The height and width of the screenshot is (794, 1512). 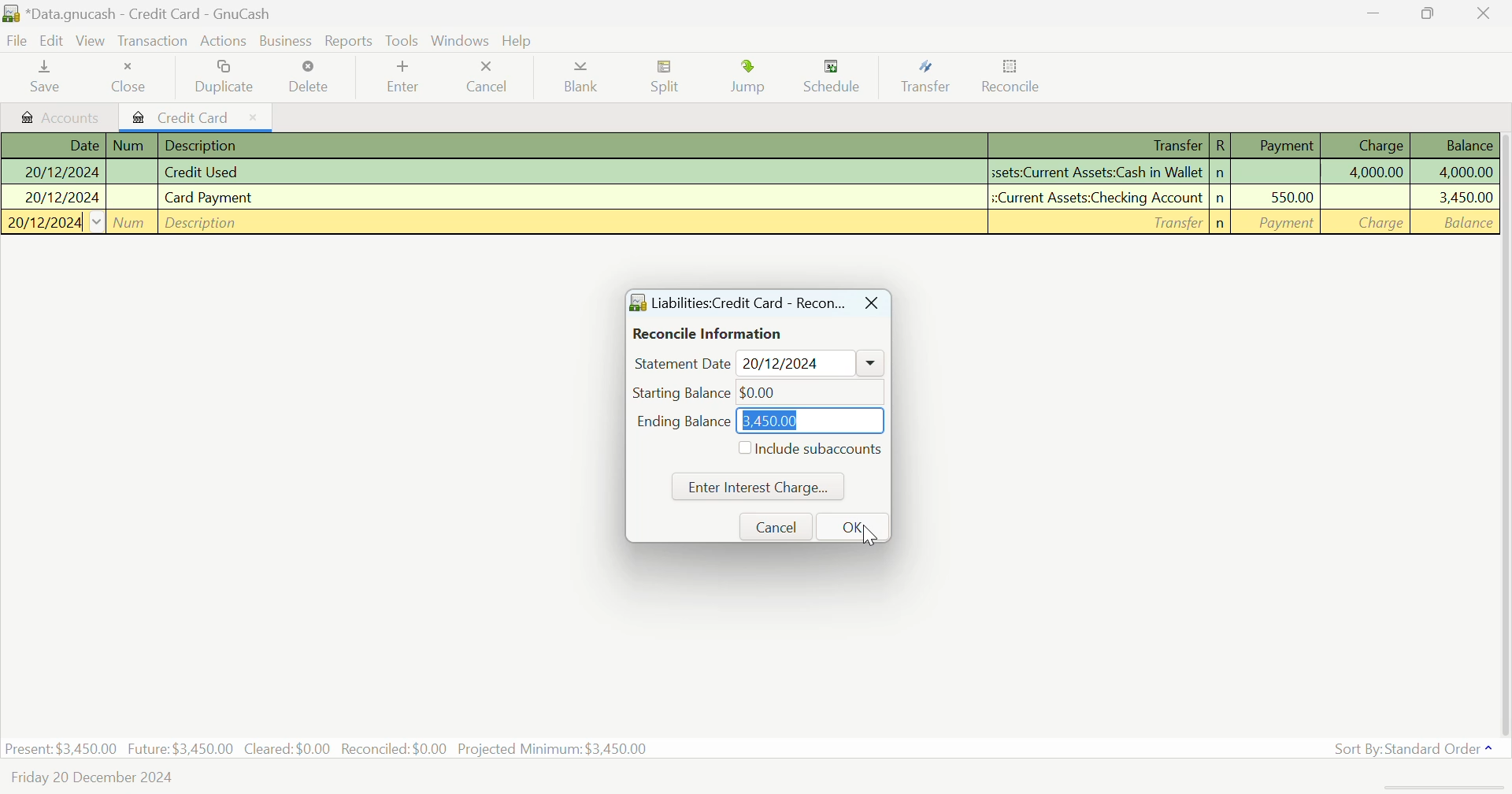 I want to click on Friday 20 December 2024, so click(x=90, y=781).